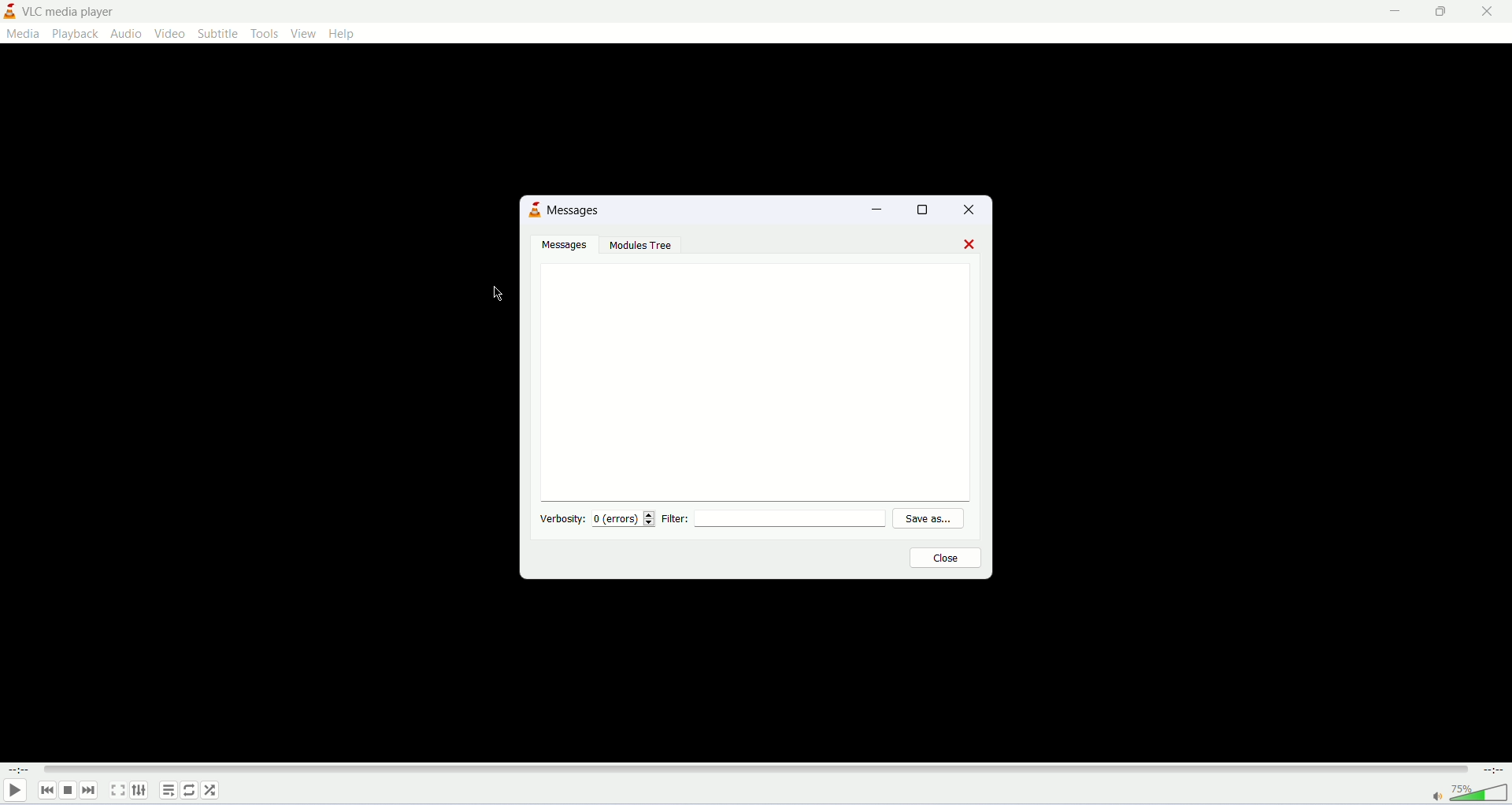 The image size is (1512, 805). I want to click on view, so click(304, 33).